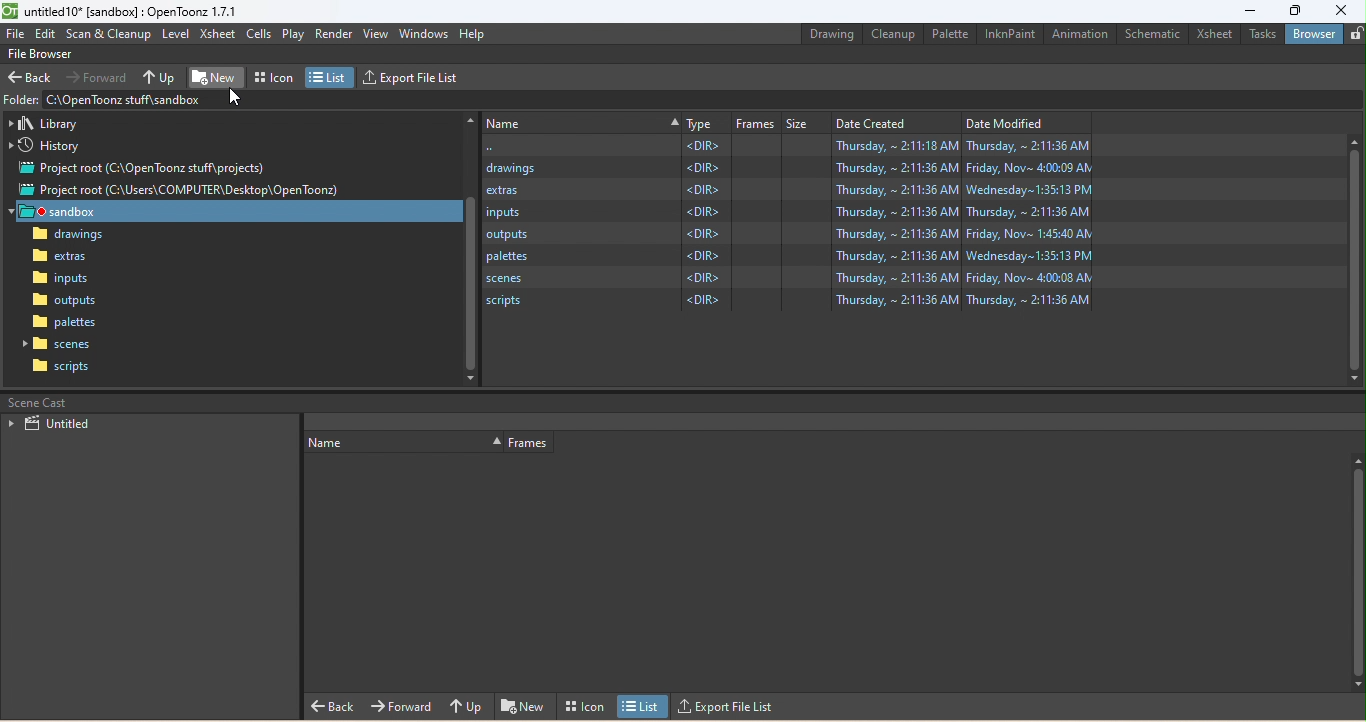 Image resolution: width=1366 pixels, height=722 pixels. What do you see at coordinates (64, 322) in the screenshot?
I see `palettes` at bounding box center [64, 322].